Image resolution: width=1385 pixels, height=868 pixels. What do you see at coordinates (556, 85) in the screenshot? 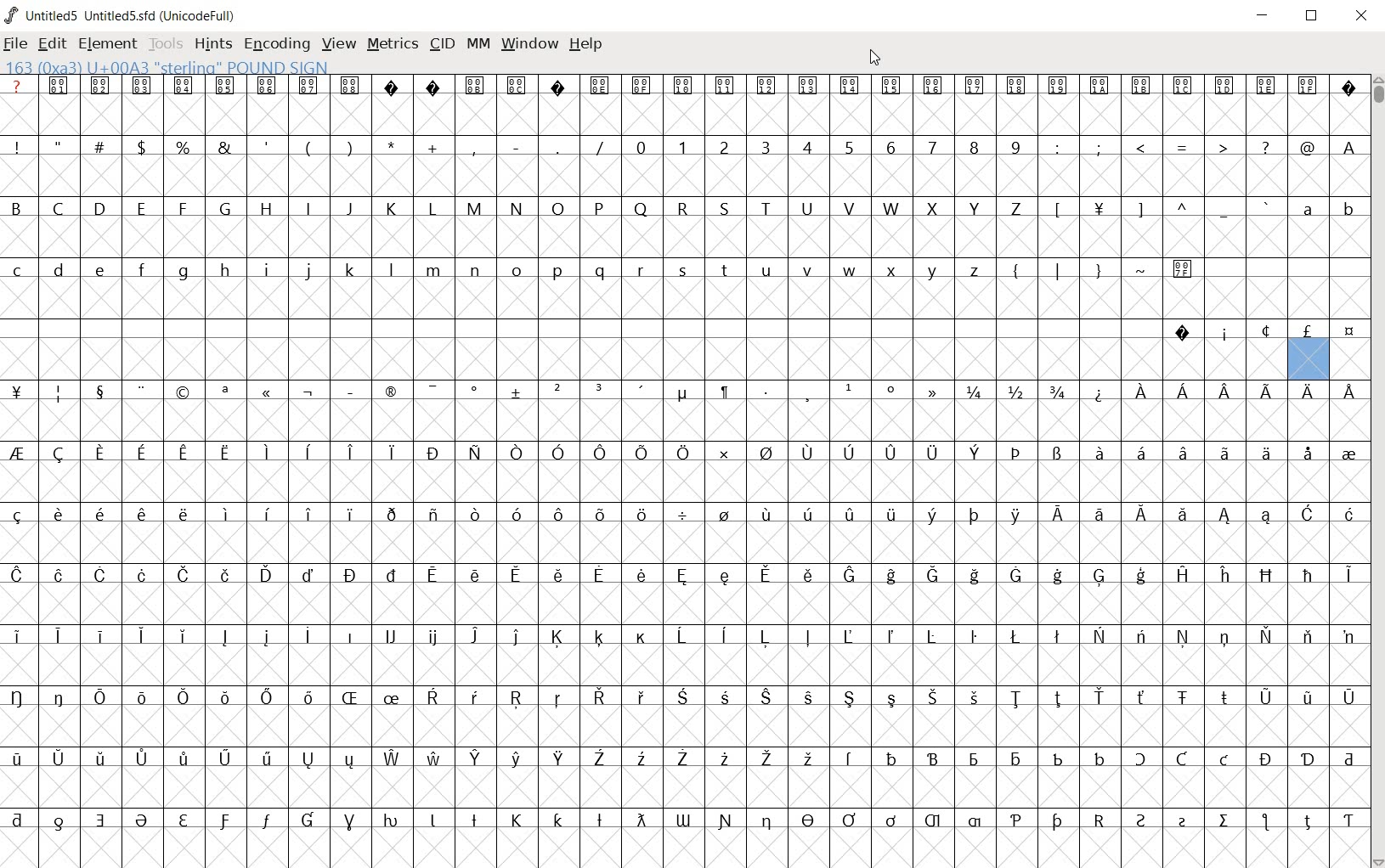
I see `Symbol` at bounding box center [556, 85].